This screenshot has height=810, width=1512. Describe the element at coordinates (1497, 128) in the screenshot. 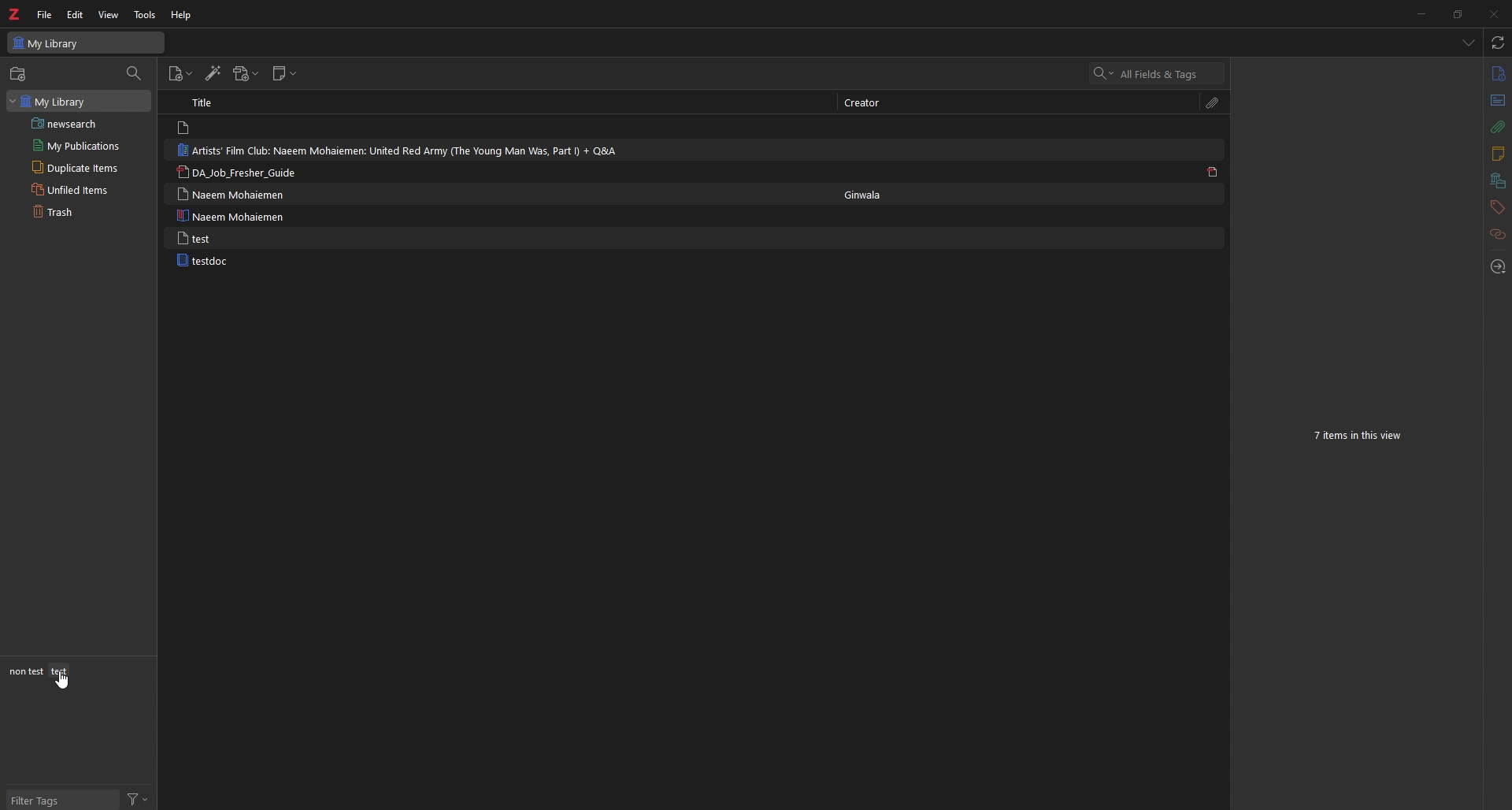

I see `attachment` at that location.